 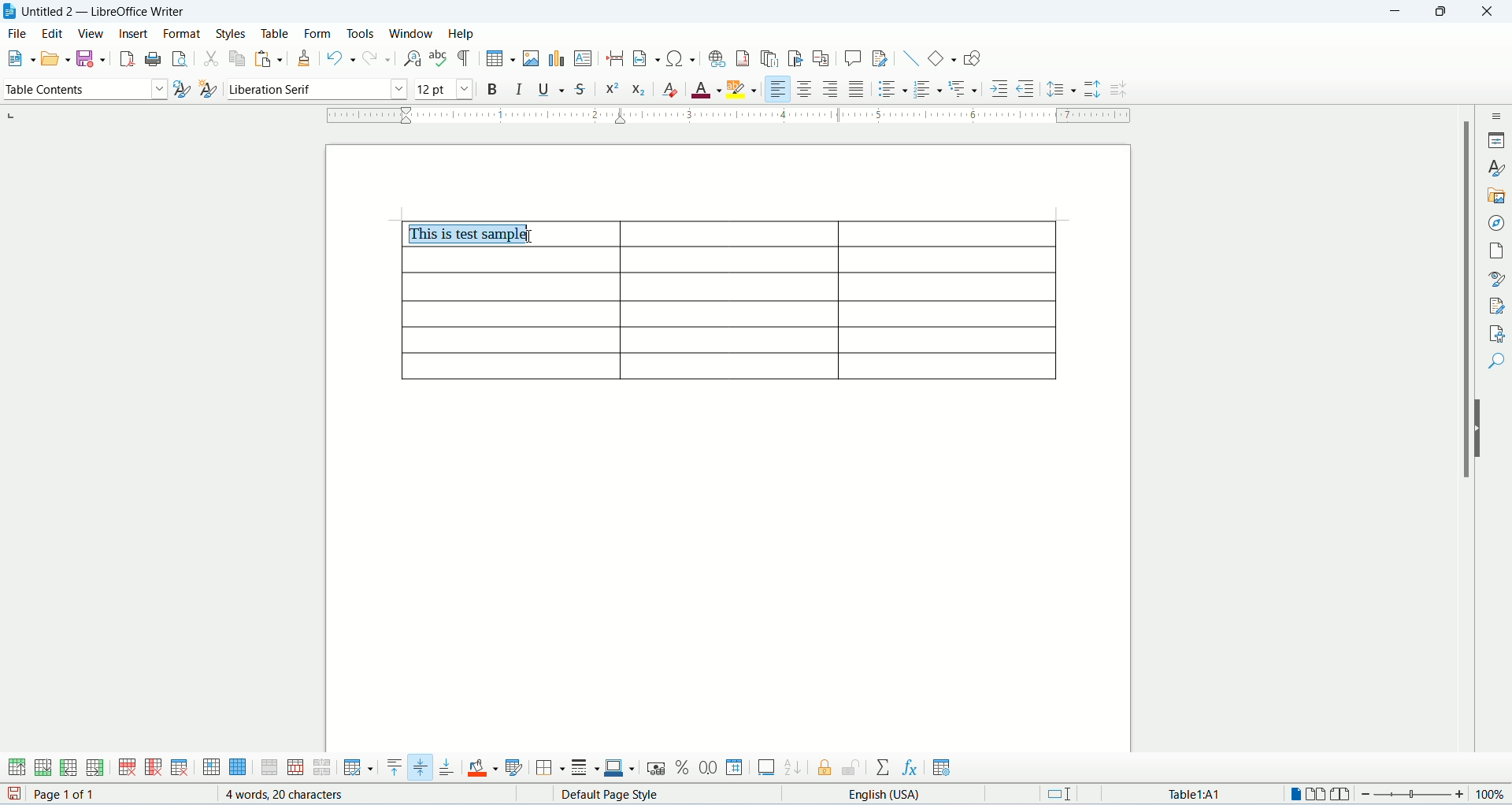 What do you see at coordinates (297, 767) in the screenshot?
I see `split cells` at bounding box center [297, 767].